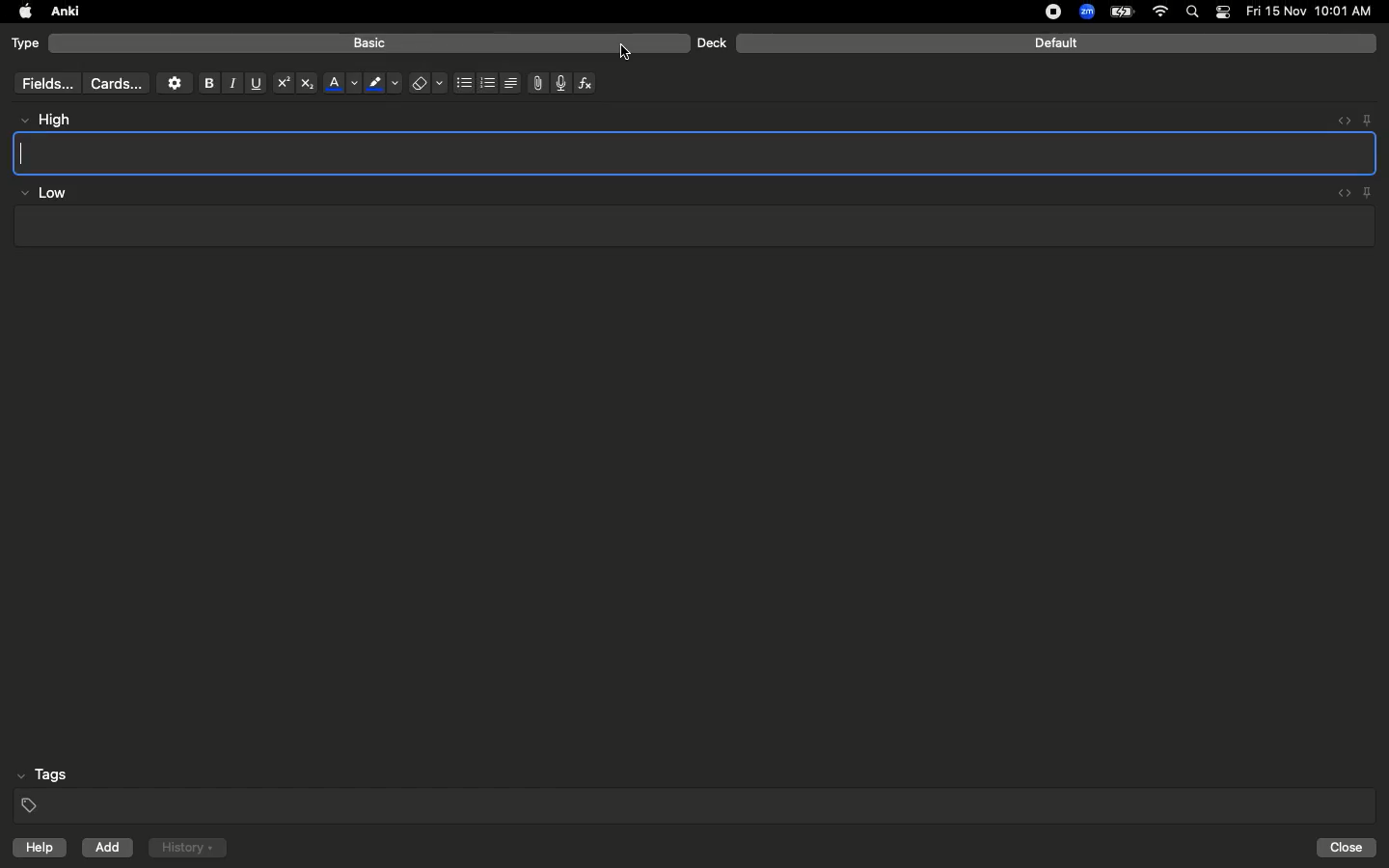 Image resolution: width=1389 pixels, height=868 pixels. I want to click on Notification bar, so click(1223, 13).